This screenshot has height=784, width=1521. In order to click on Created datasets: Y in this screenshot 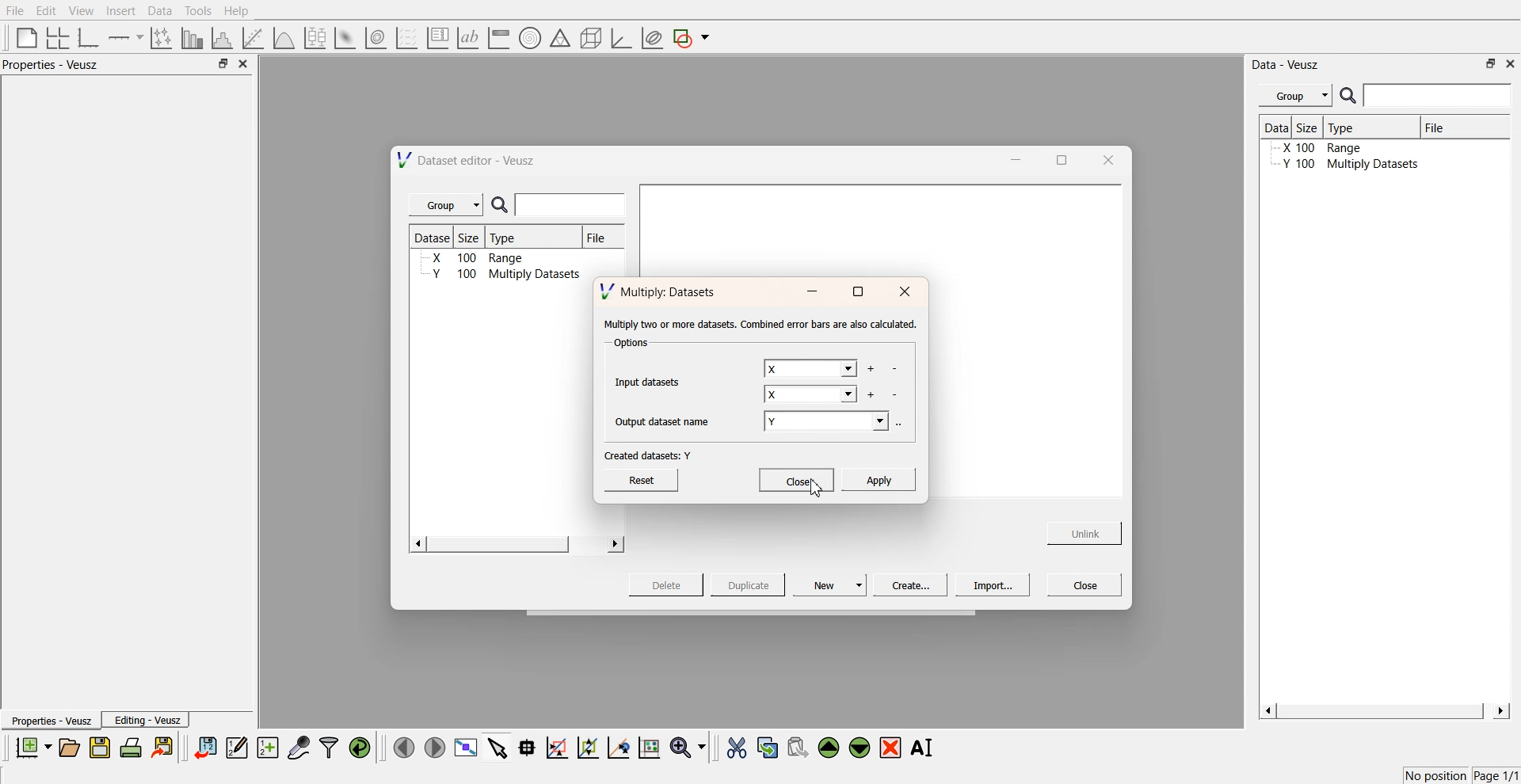, I will do `click(648, 455)`.